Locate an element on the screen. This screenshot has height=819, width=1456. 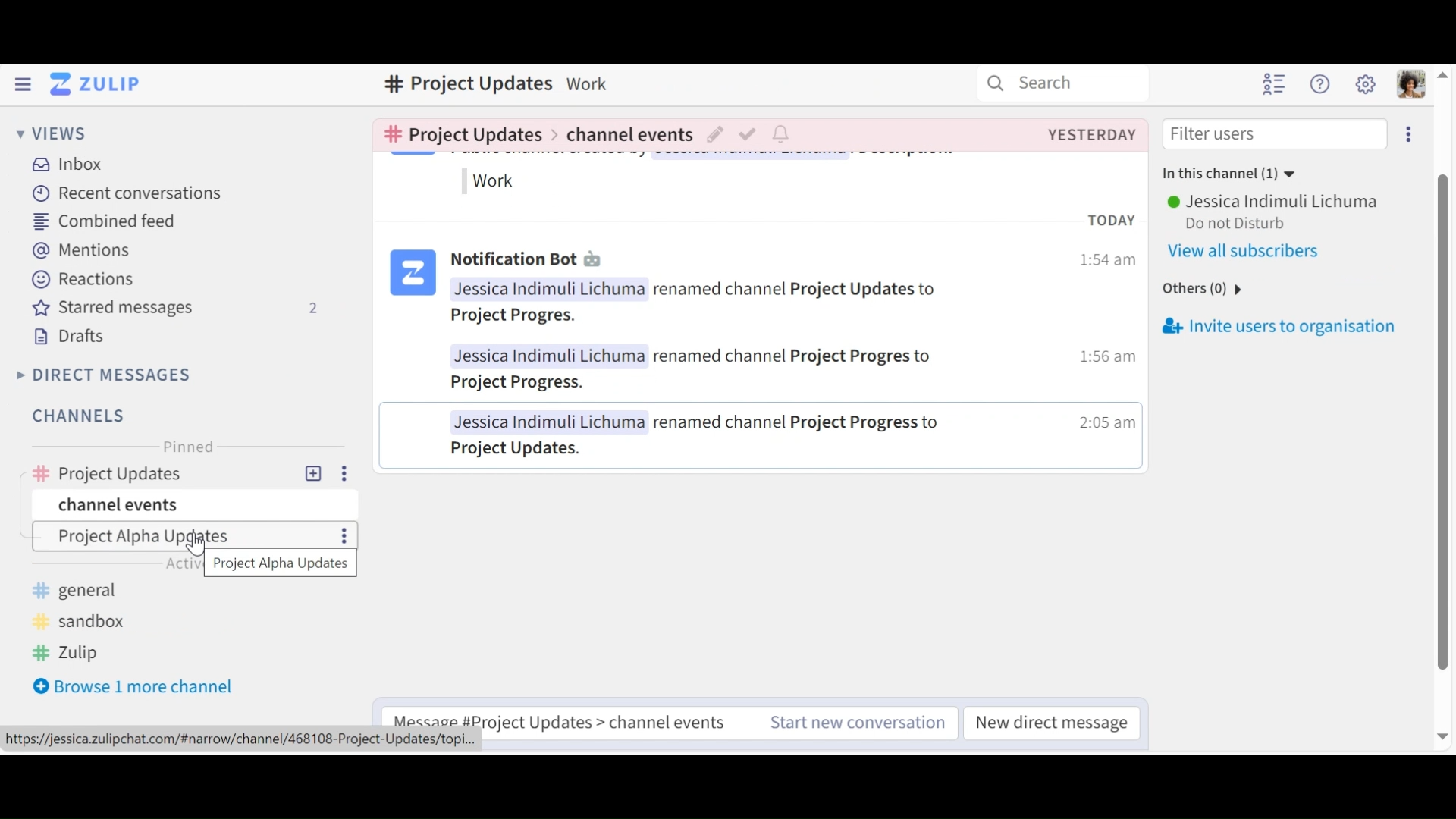
https://jessica.zulipchat.com/#narrow/channel/468108-Project-Updates/topi... is located at coordinates (240, 741).